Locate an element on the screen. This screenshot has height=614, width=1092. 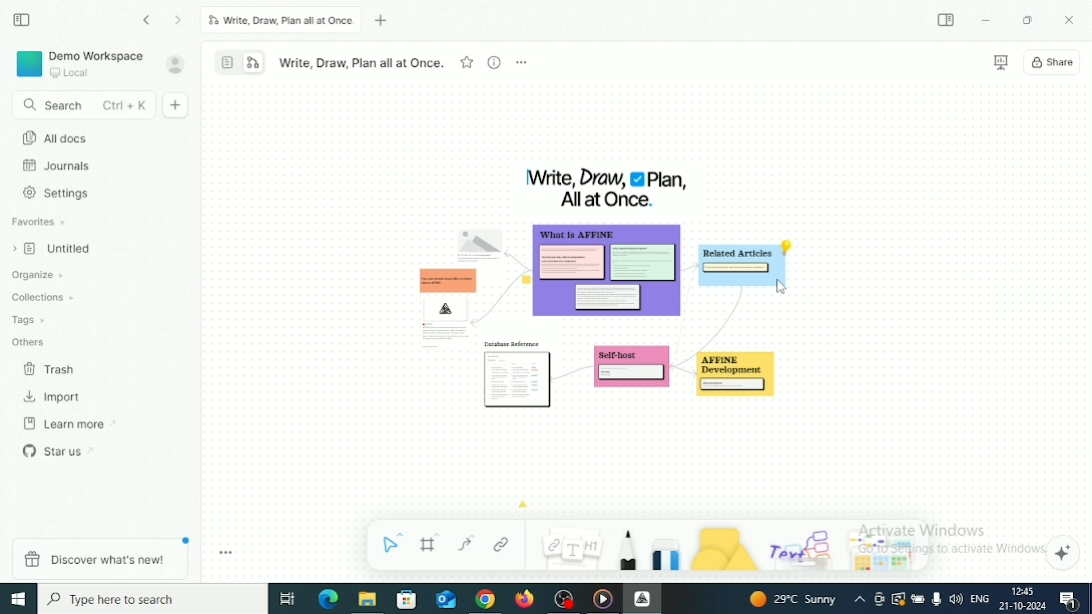
More is located at coordinates (521, 62).